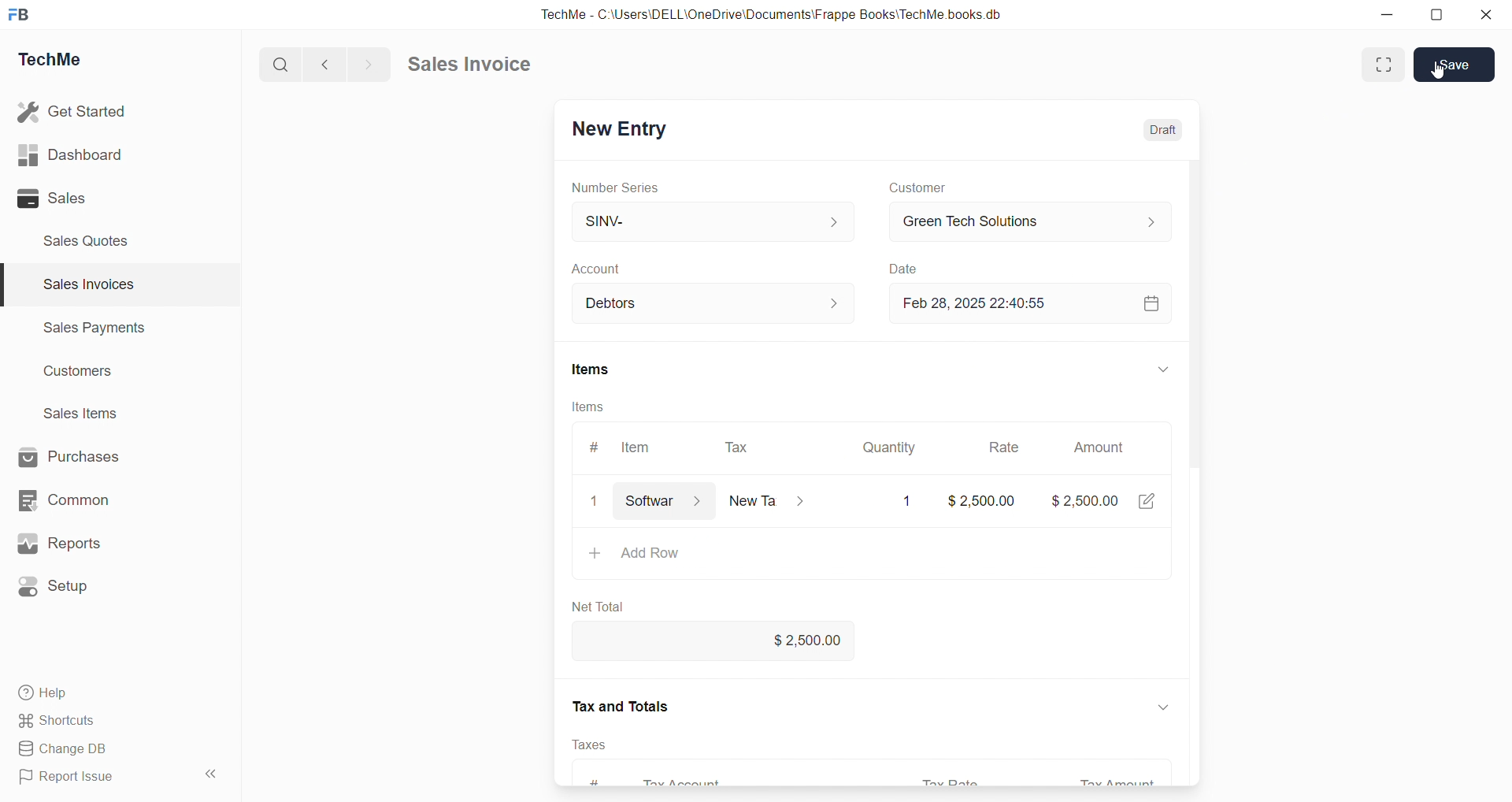  I want to click on $2,500.00, so click(1084, 501).